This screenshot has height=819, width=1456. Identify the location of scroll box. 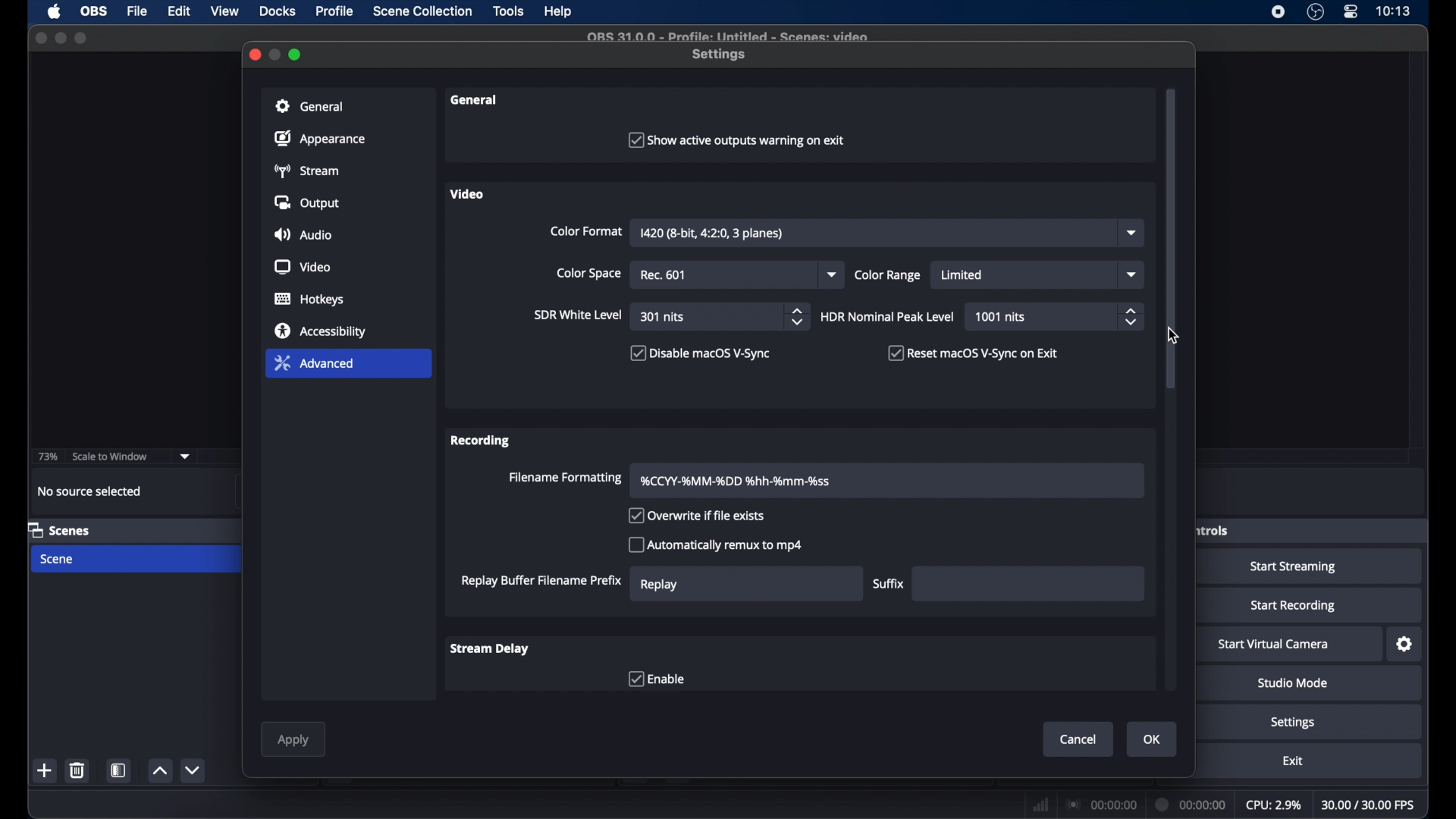
(1170, 237).